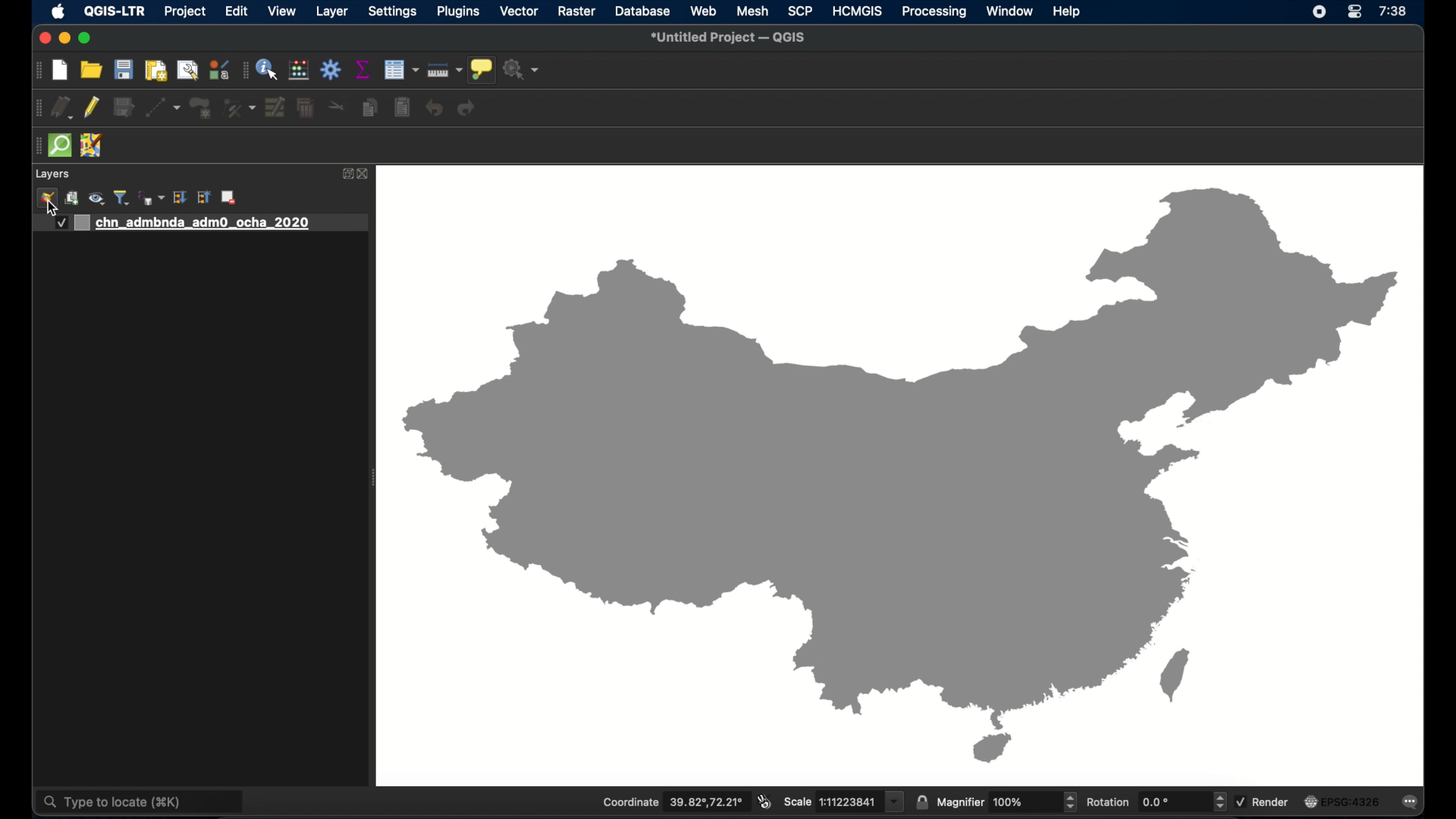  Describe the element at coordinates (299, 71) in the screenshot. I see `style manager` at that location.